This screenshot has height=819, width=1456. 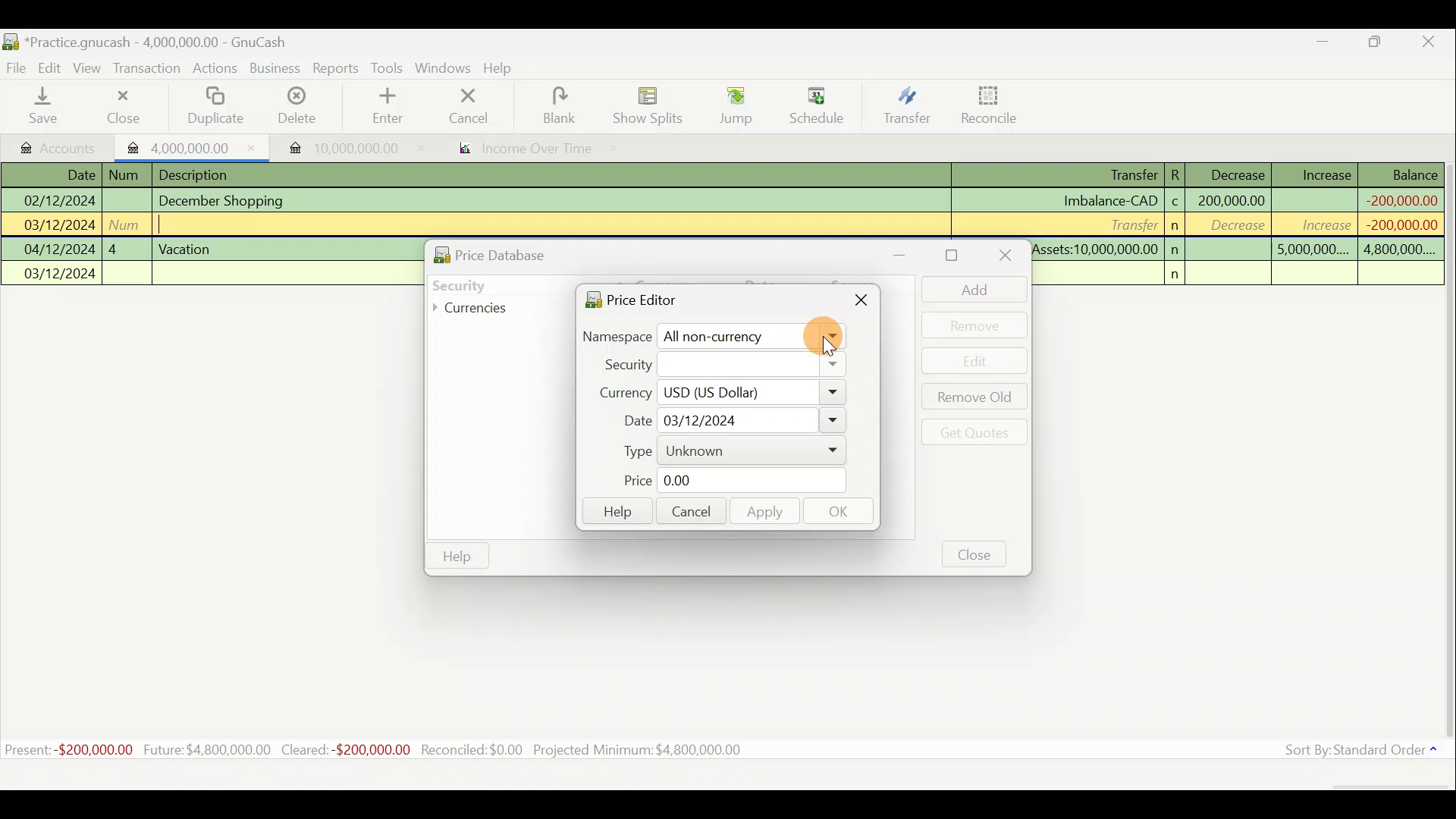 What do you see at coordinates (1326, 173) in the screenshot?
I see `Increase` at bounding box center [1326, 173].